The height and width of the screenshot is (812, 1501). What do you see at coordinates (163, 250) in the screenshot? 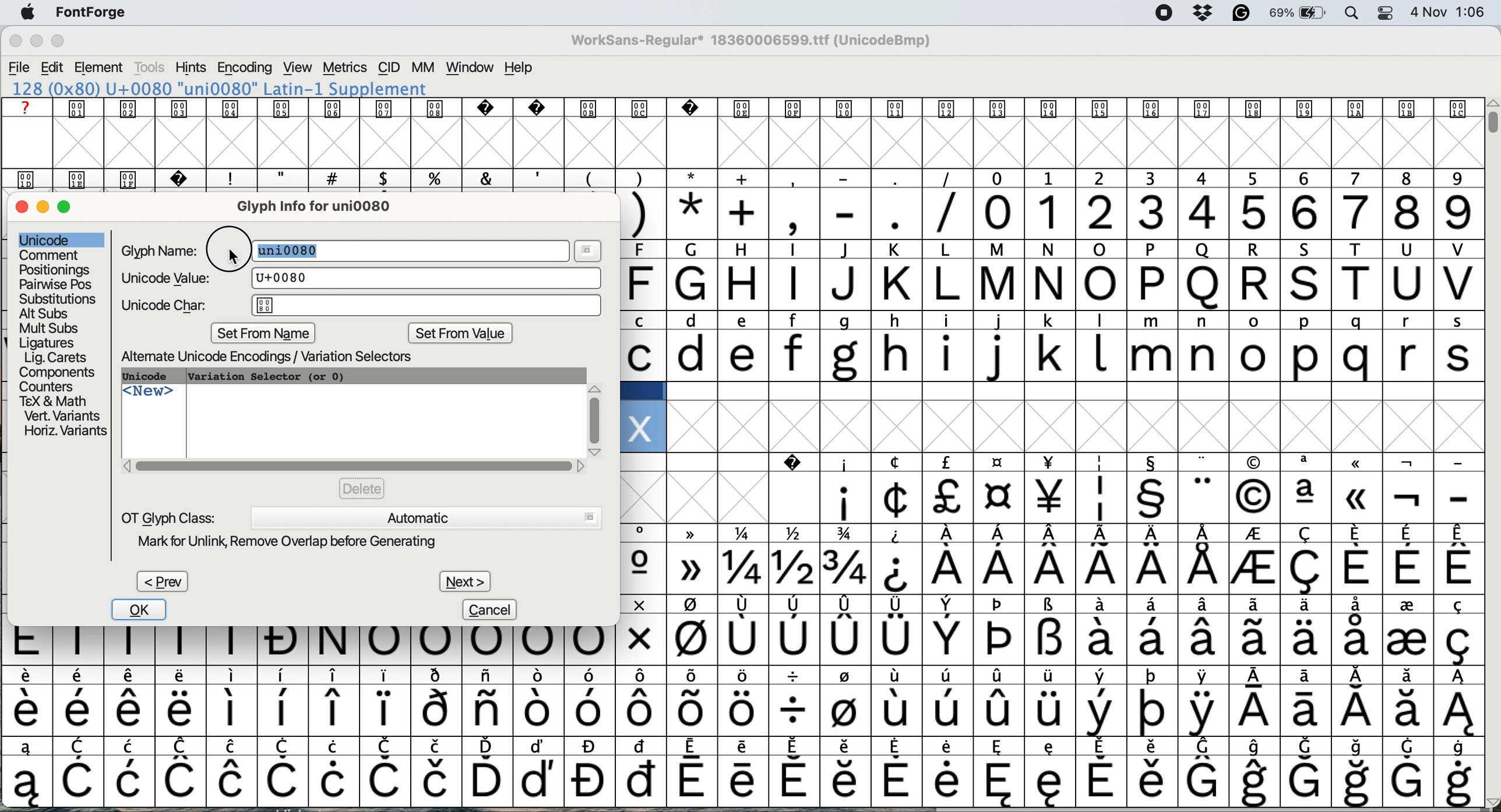
I see `glyph name` at bounding box center [163, 250].